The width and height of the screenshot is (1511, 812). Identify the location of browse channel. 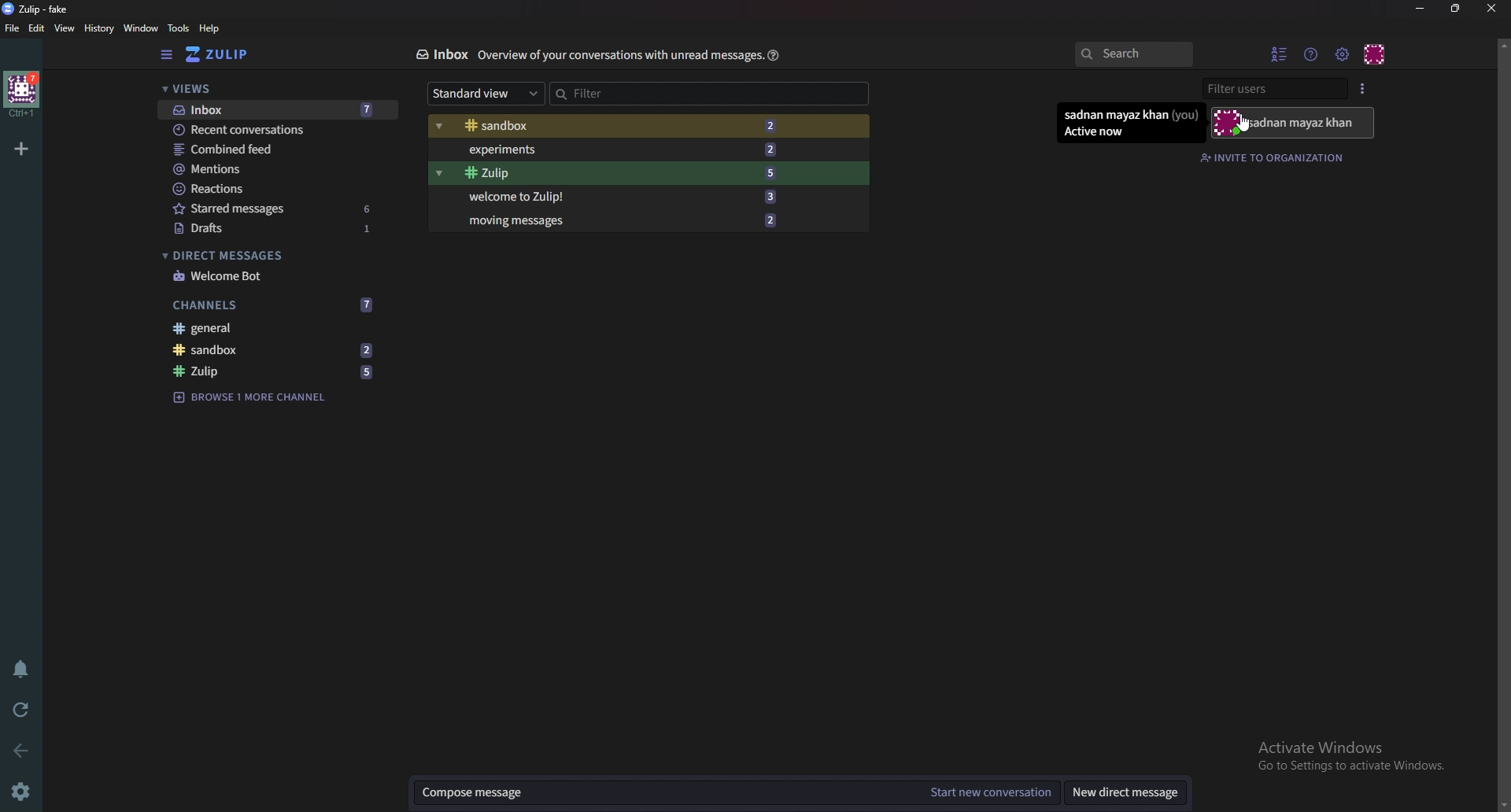
(249, 398).